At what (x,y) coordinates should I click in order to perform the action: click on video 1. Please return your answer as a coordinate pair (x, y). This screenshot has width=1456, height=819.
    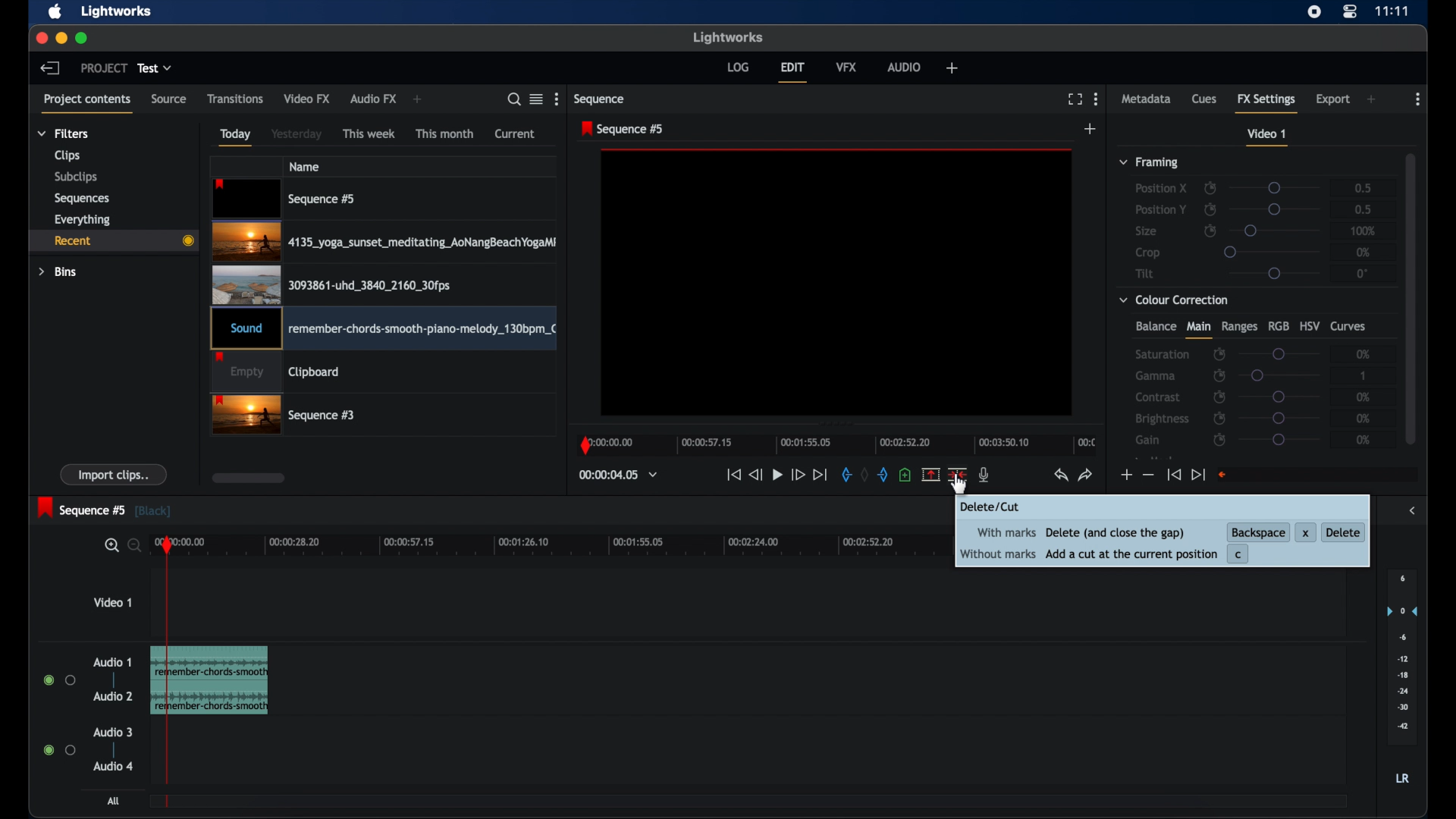
    Looking at the image, I should click on (1268, 137).